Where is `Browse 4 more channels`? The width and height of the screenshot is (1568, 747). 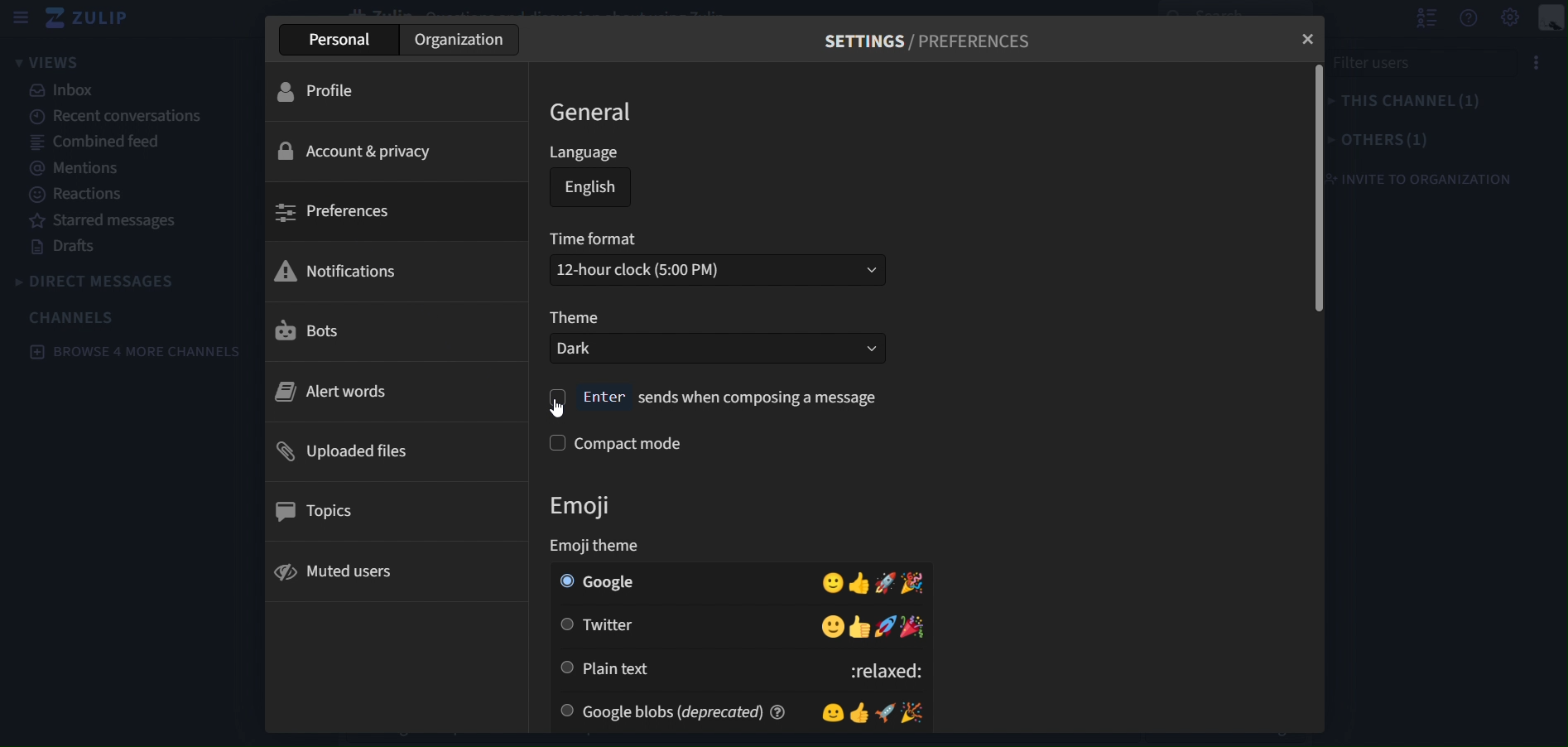
Browse 4 more channels is located at coordinates (132, 354).